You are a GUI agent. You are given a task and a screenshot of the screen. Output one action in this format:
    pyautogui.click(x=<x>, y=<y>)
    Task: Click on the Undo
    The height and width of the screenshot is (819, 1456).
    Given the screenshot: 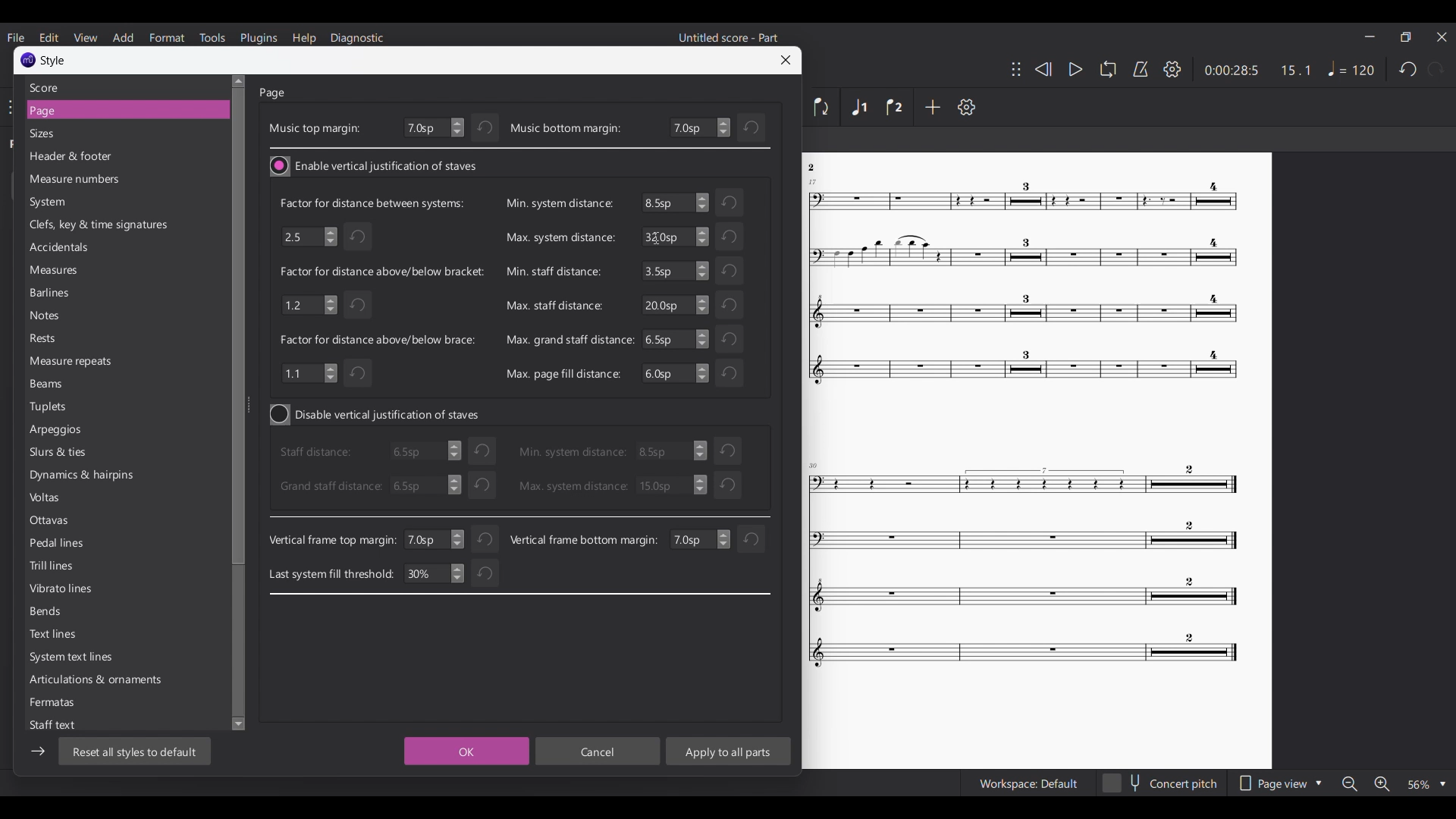 What is the action you would take?
    pyautogui.click(x=361, y=375)
    